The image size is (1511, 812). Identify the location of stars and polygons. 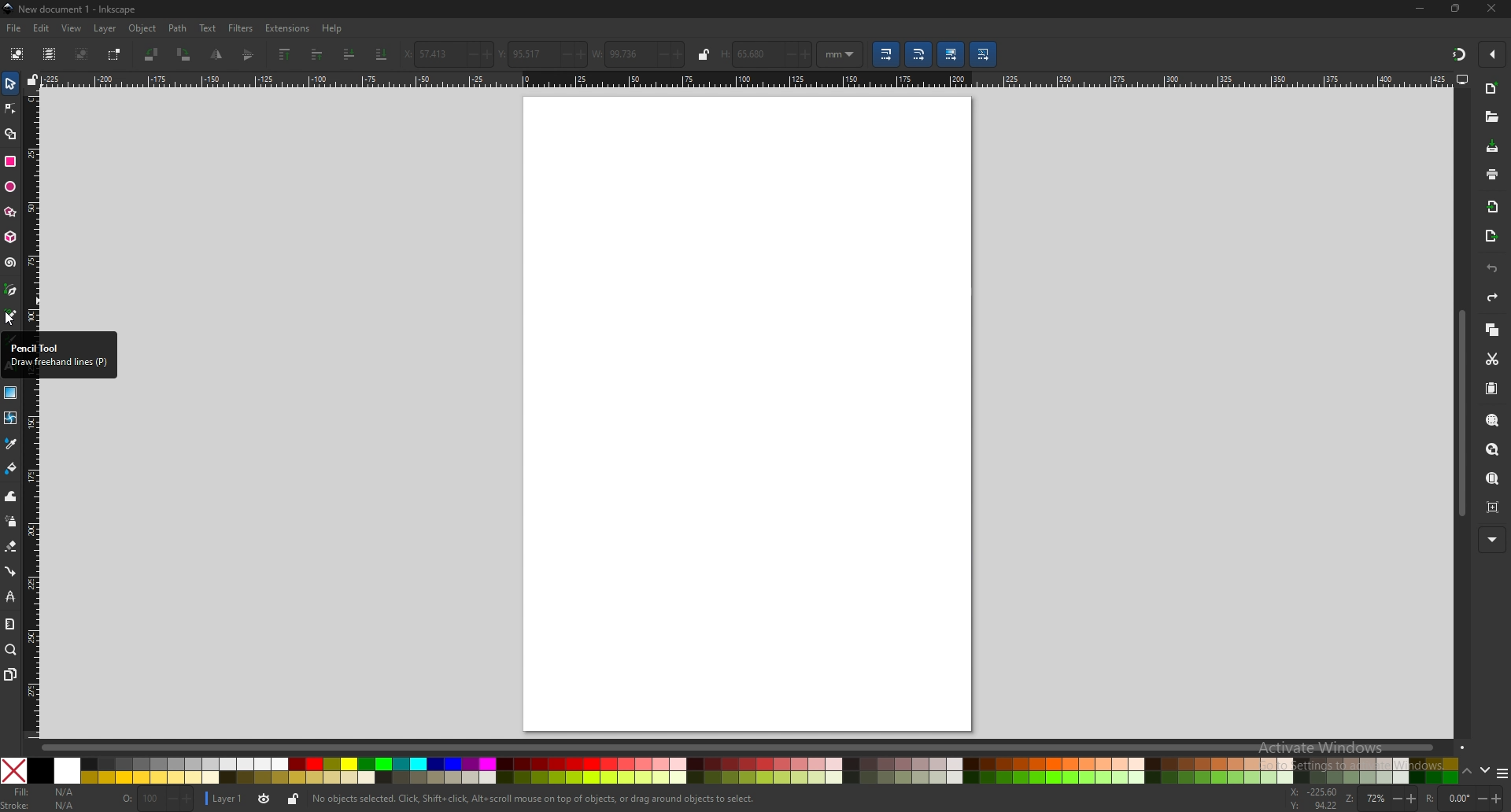
(10, 212).